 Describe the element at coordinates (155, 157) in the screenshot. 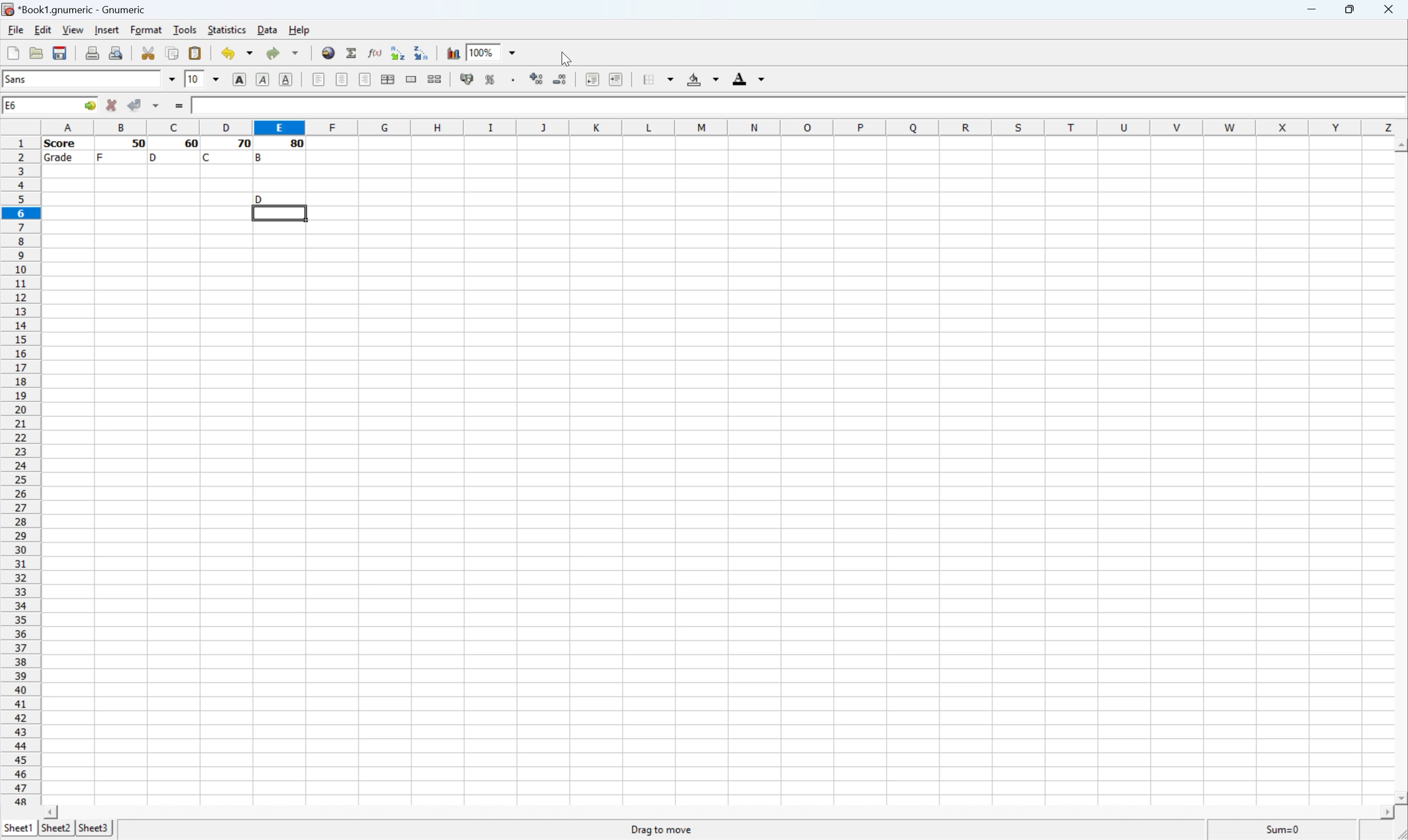

I see `D` at that location.